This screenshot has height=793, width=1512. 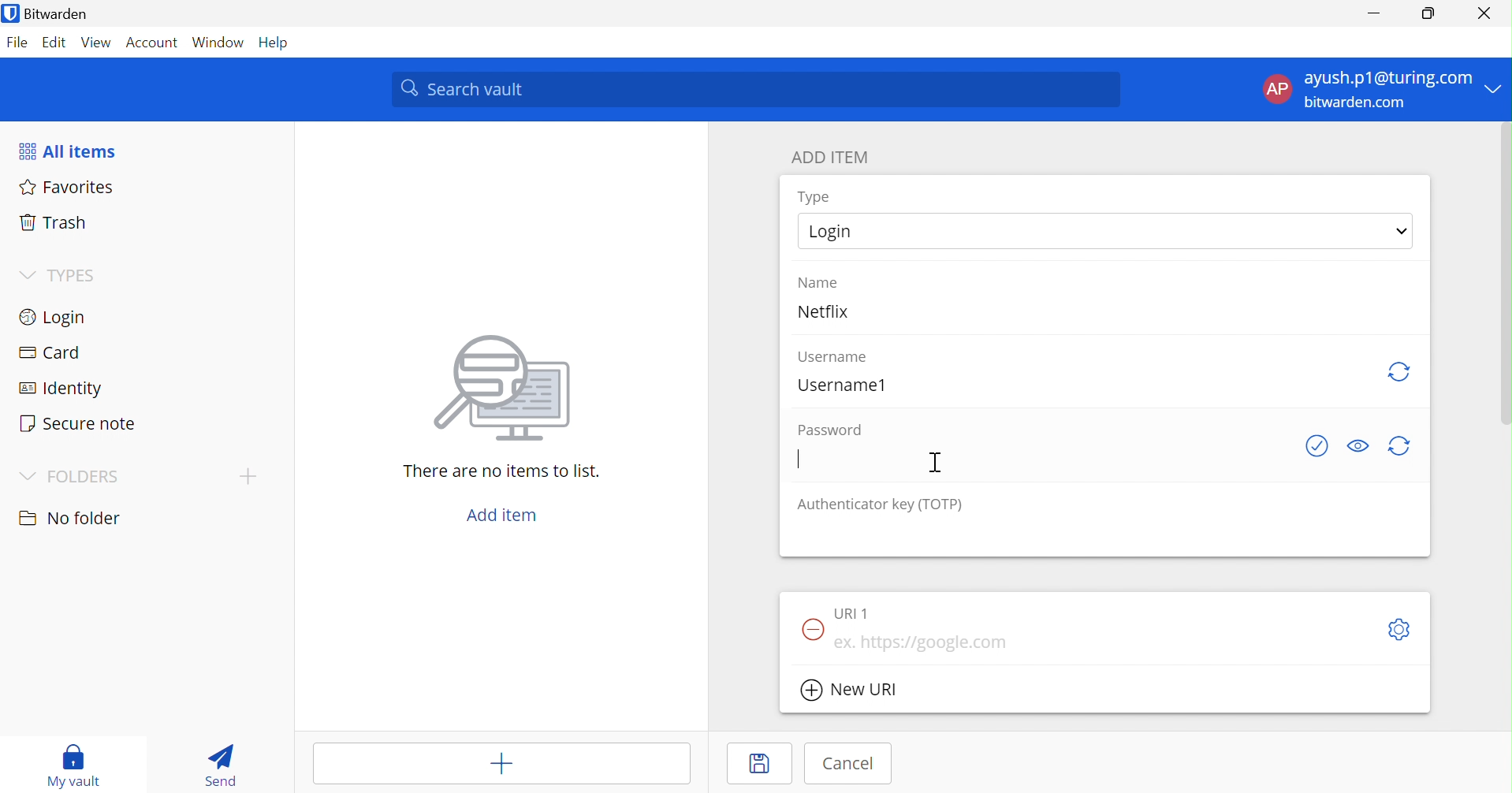 I want to click on Edit, so click(x=56, y=43).